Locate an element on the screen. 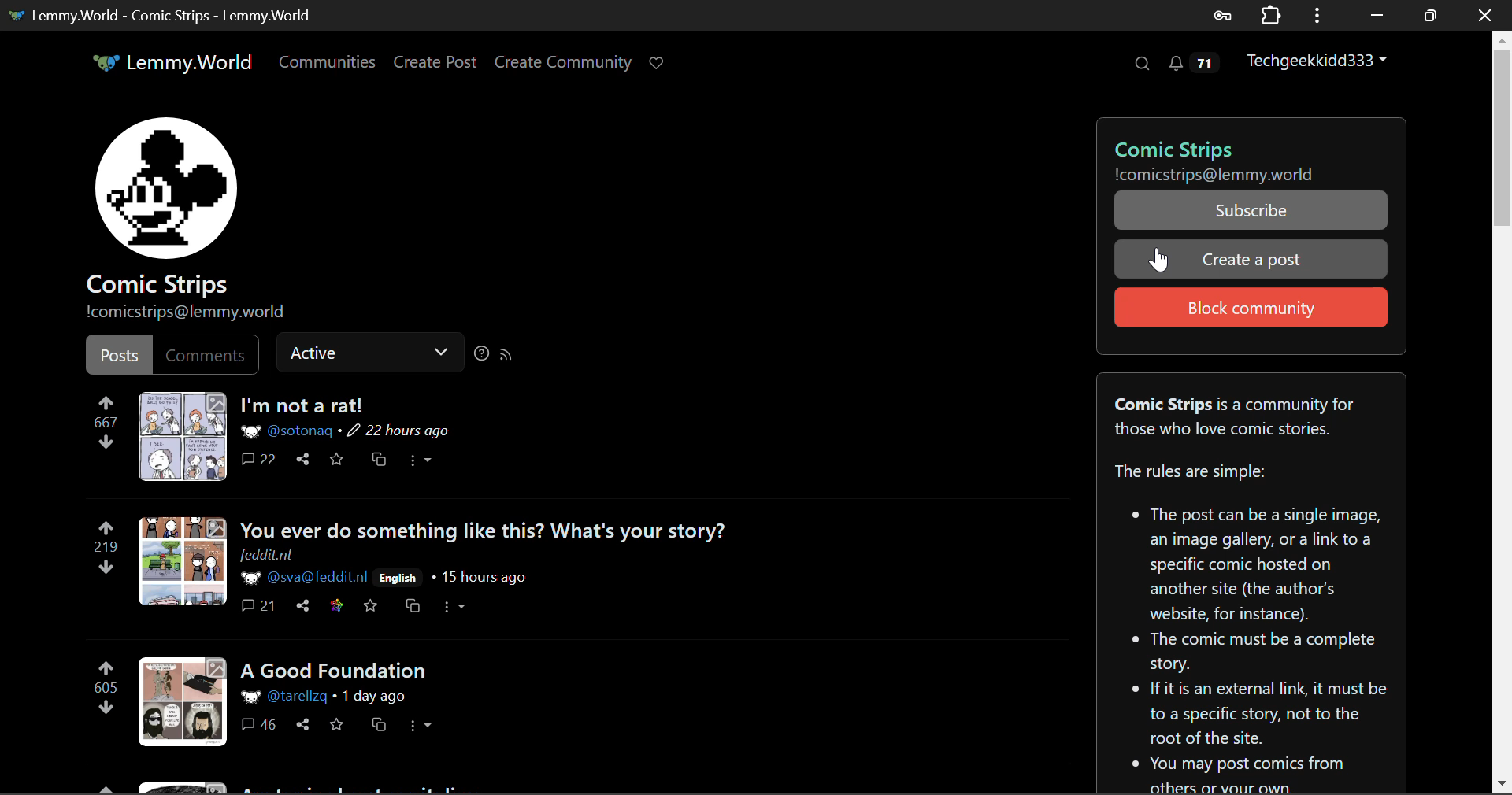  219 Upvotes is located at coordinates (106, 546).